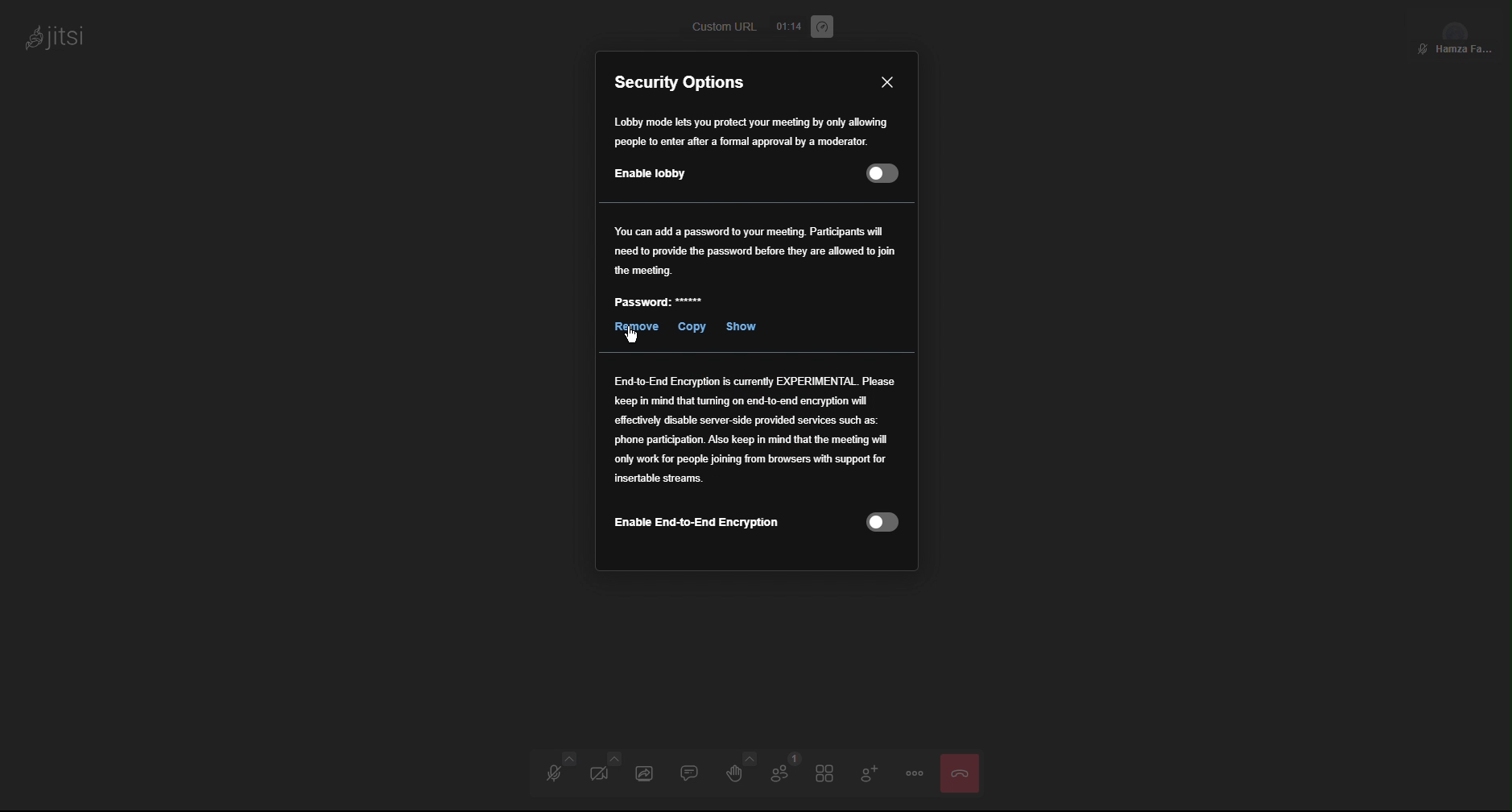 Image resolution: width=1512 pixels, height=812 pixels. I want to click on Timer, so click(787, 27).